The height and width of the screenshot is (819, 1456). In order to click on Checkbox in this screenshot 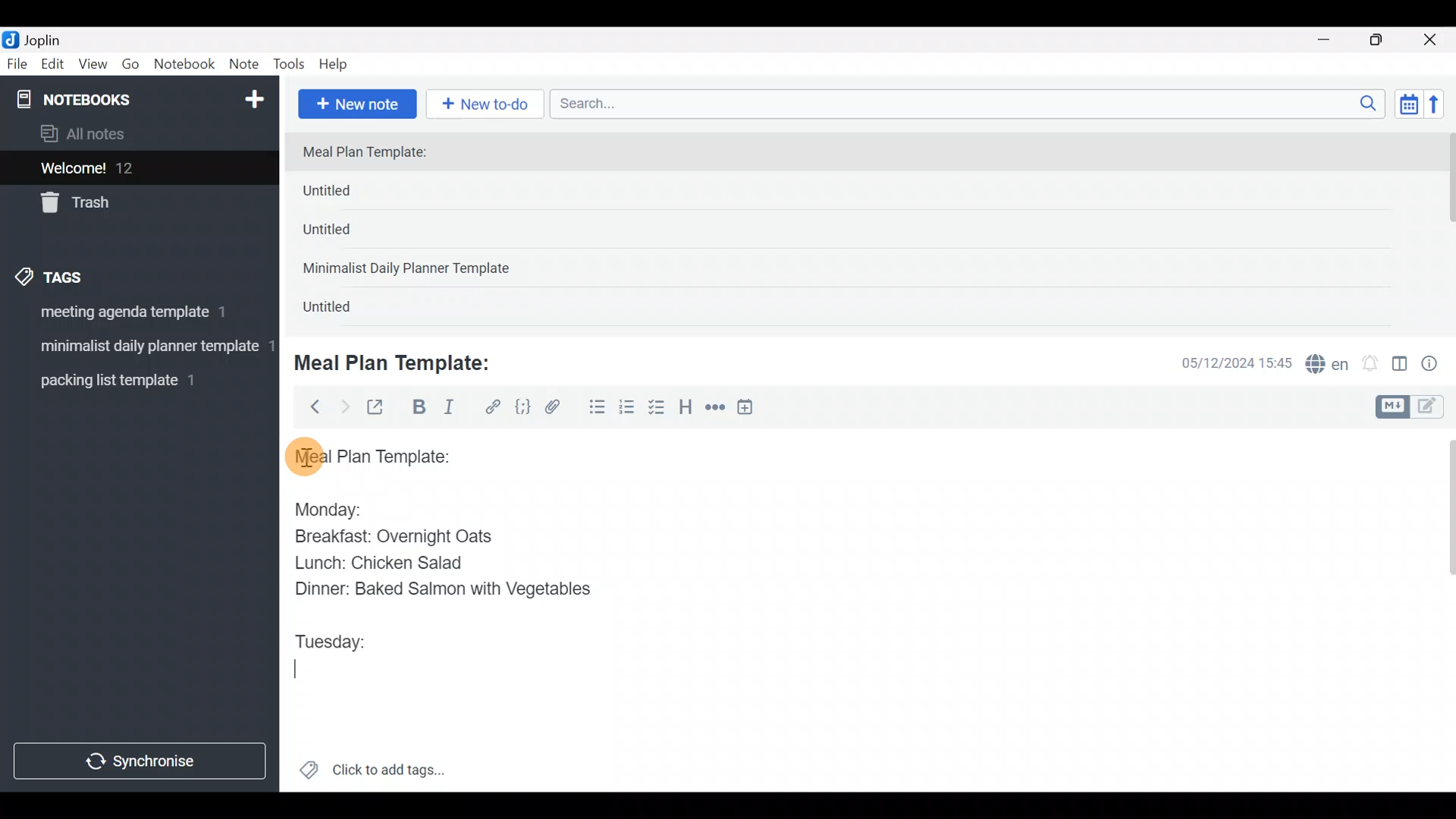, I will do `click(658, 409)`.